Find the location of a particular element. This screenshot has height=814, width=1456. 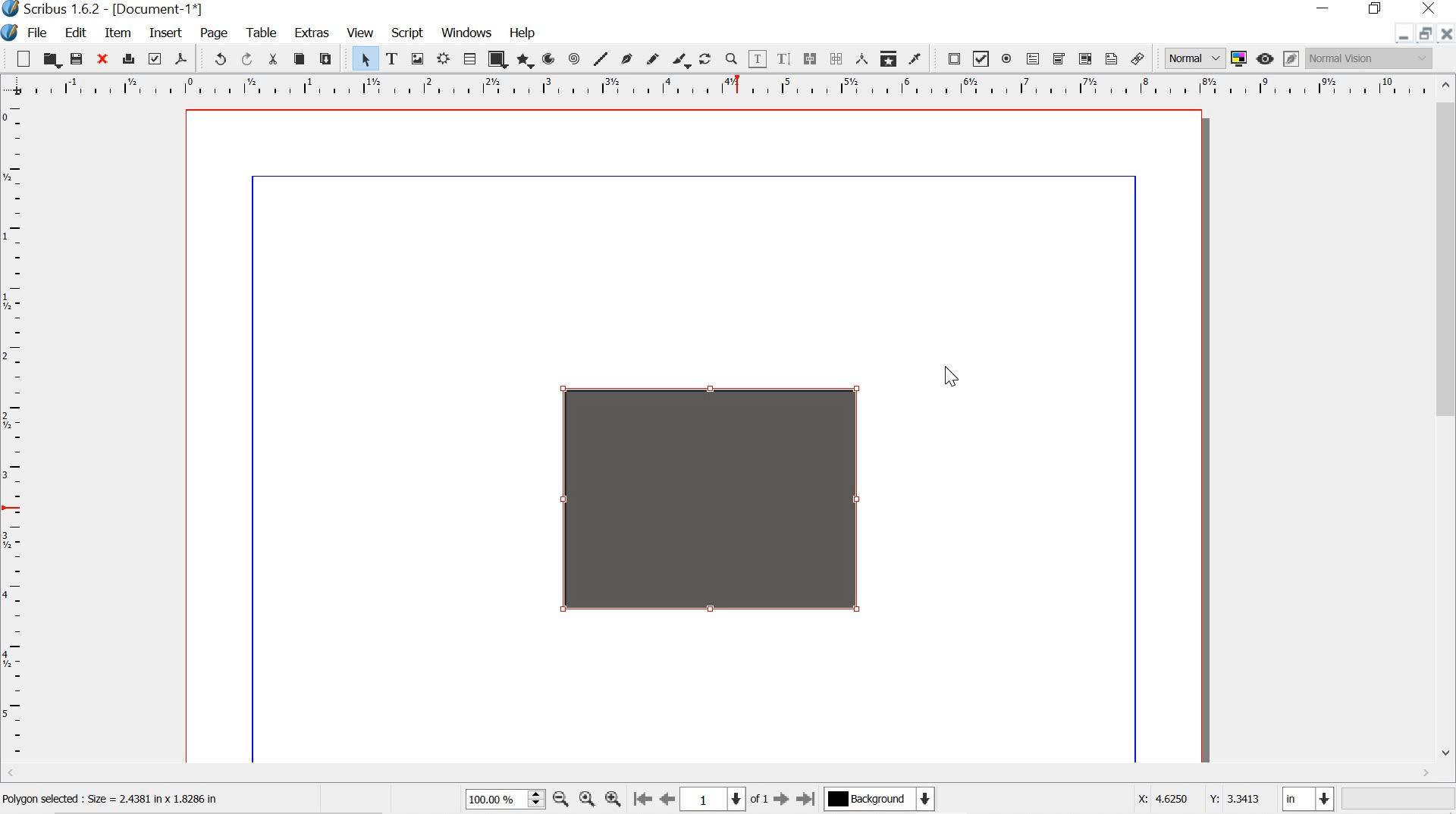

scribus logo is located at coordinates (12, 33).